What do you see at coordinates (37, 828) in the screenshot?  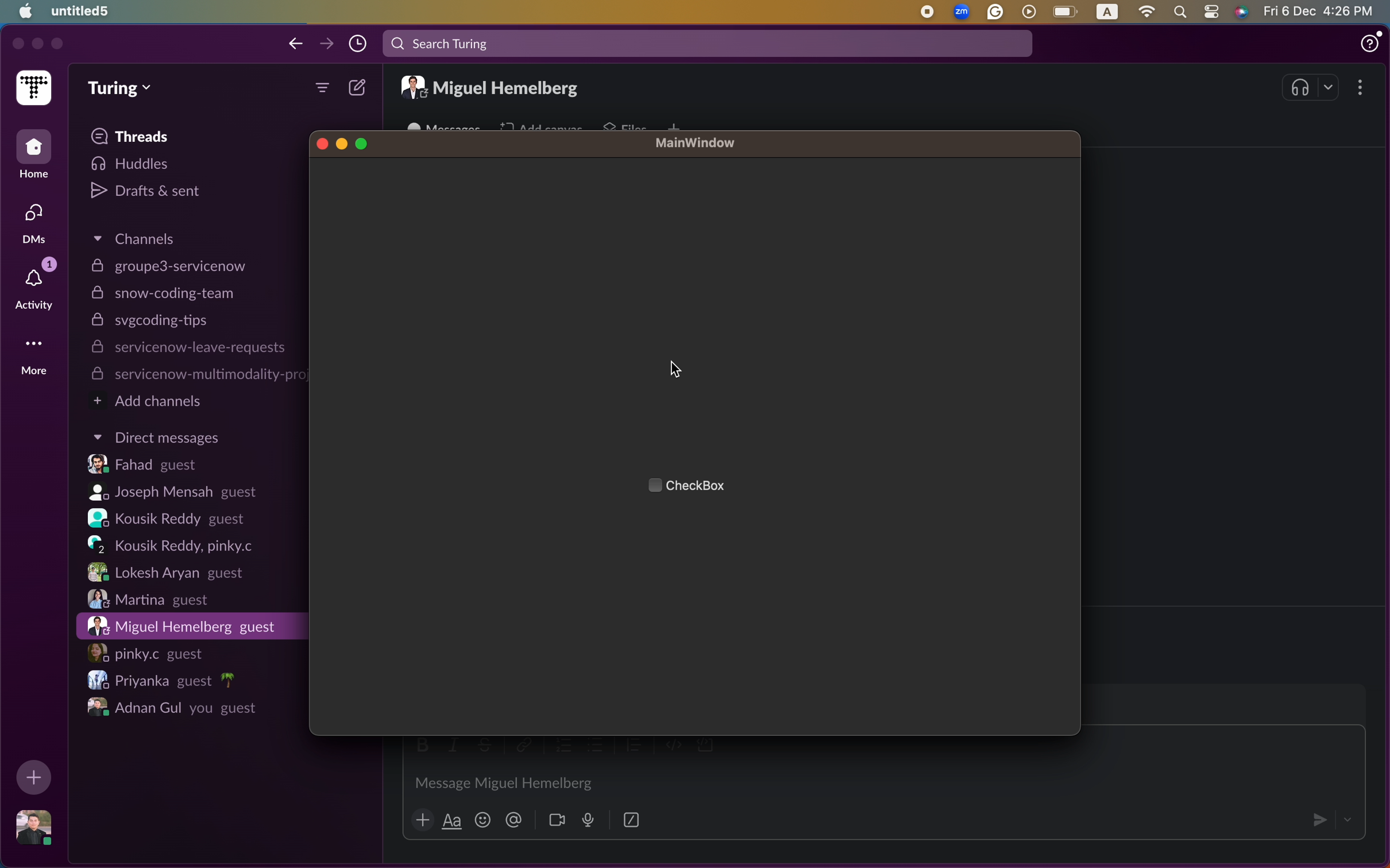 I see `image` at bounding box center [37, 828].